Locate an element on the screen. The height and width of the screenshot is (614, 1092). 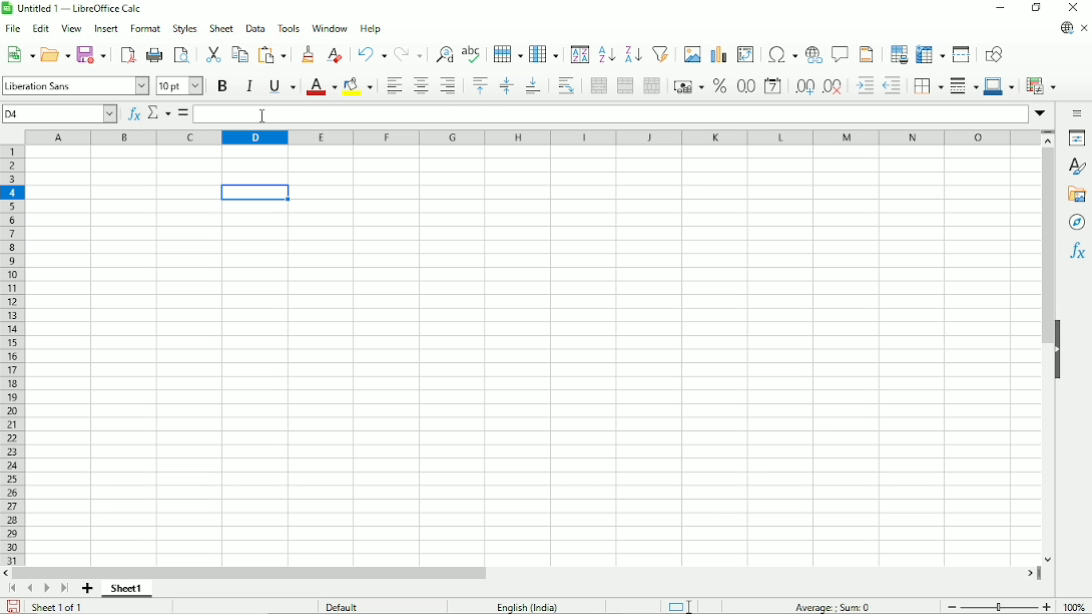
Align right is located at coordinates (449, 86).